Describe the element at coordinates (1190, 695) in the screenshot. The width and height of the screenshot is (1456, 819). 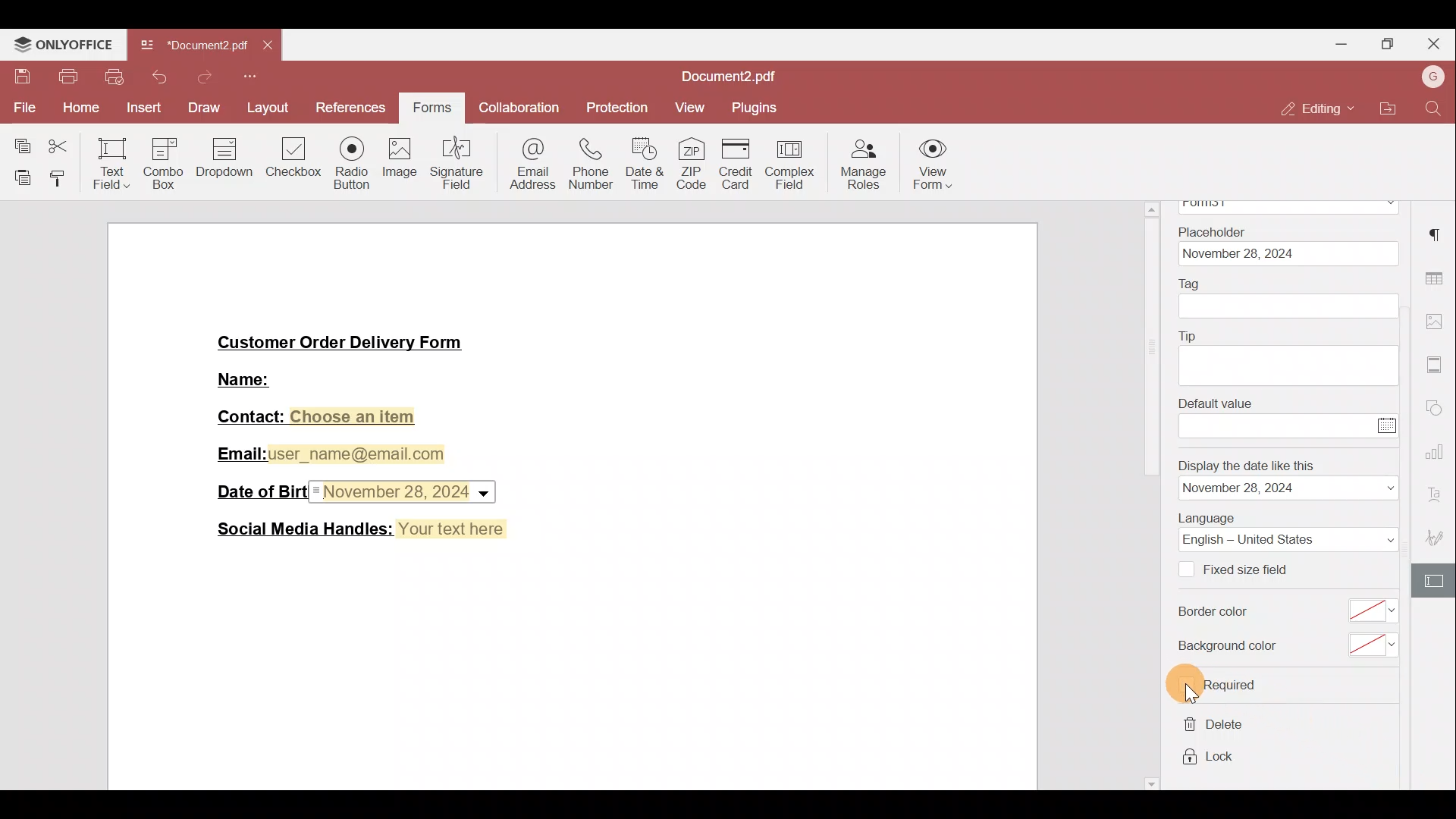
I see `cursor` at that location.